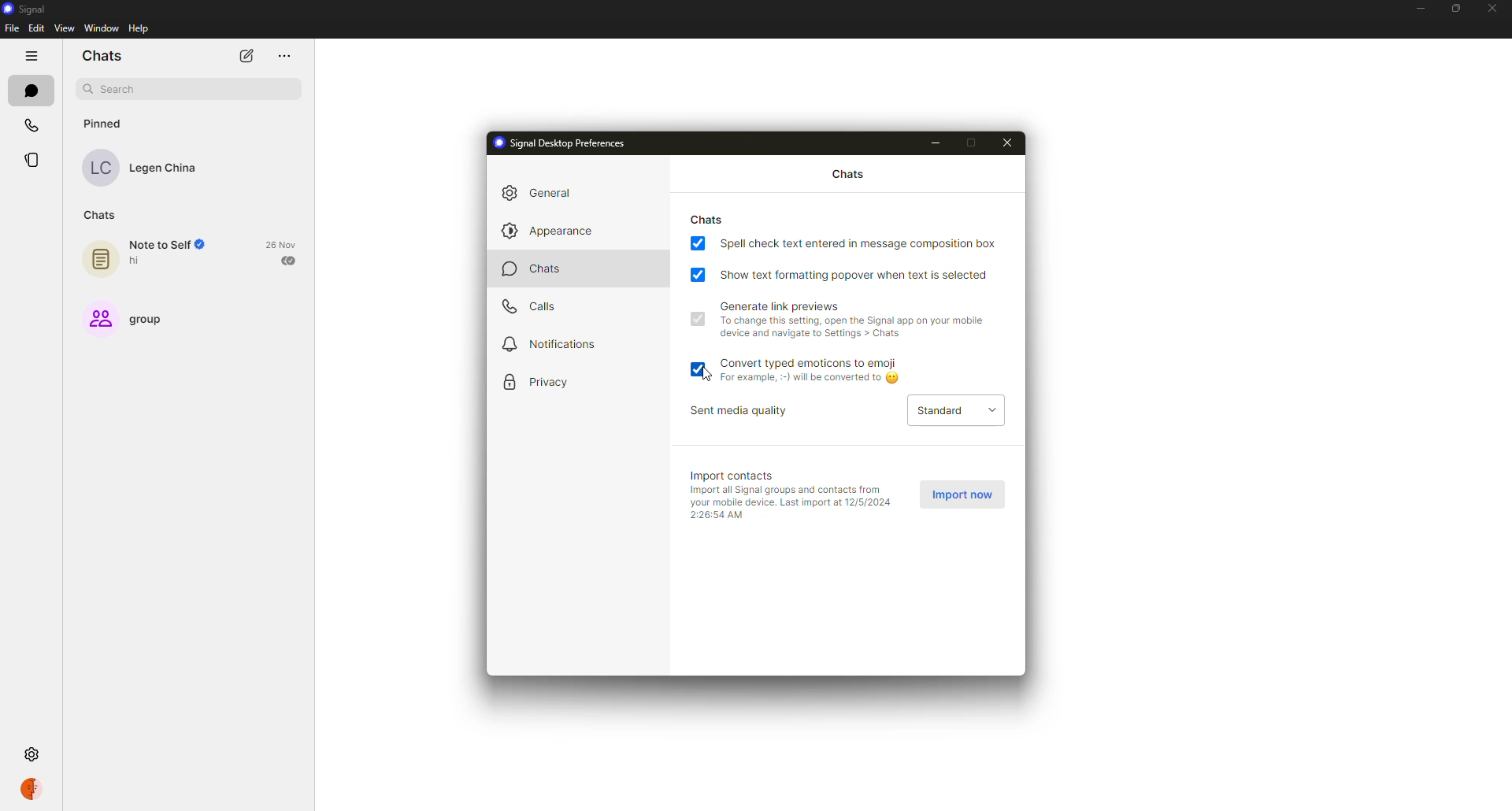  What do you see at coordinates (700, 274) in the screenshot?
I see `enabled` at bounding box center [700, 274].